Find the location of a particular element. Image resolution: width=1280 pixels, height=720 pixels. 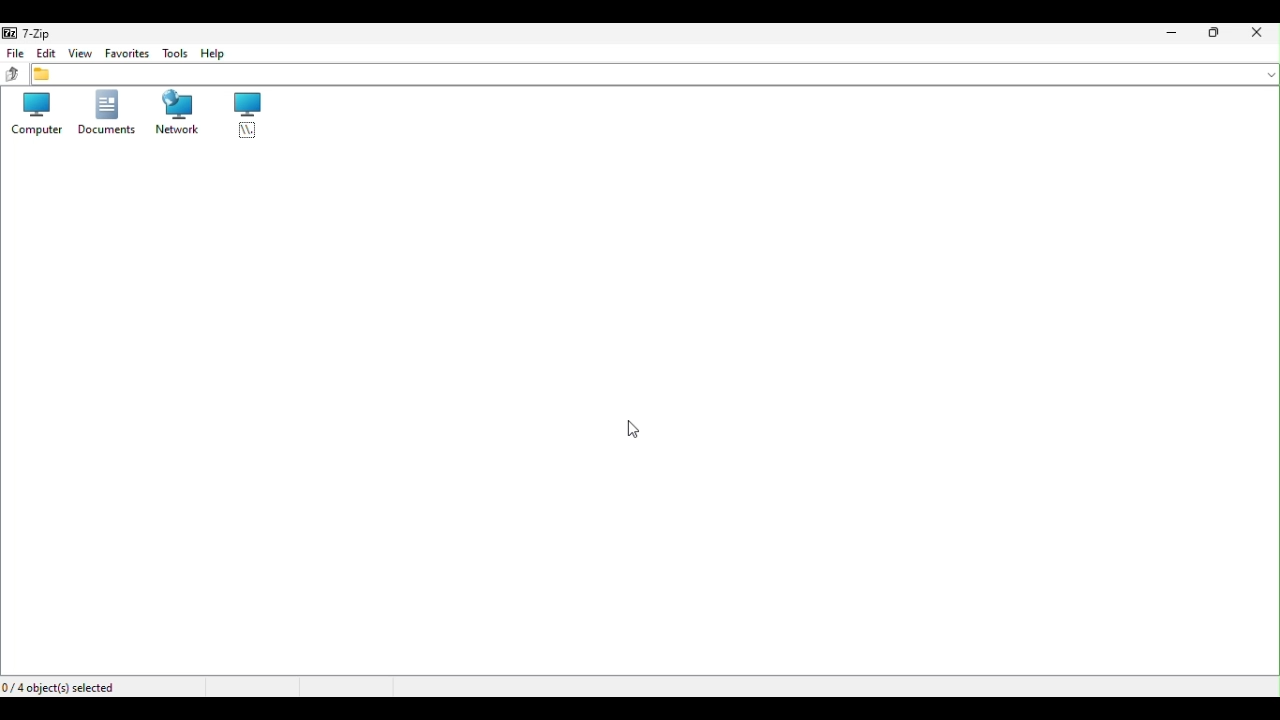

Minimize is located at coordinates (1167, 35).